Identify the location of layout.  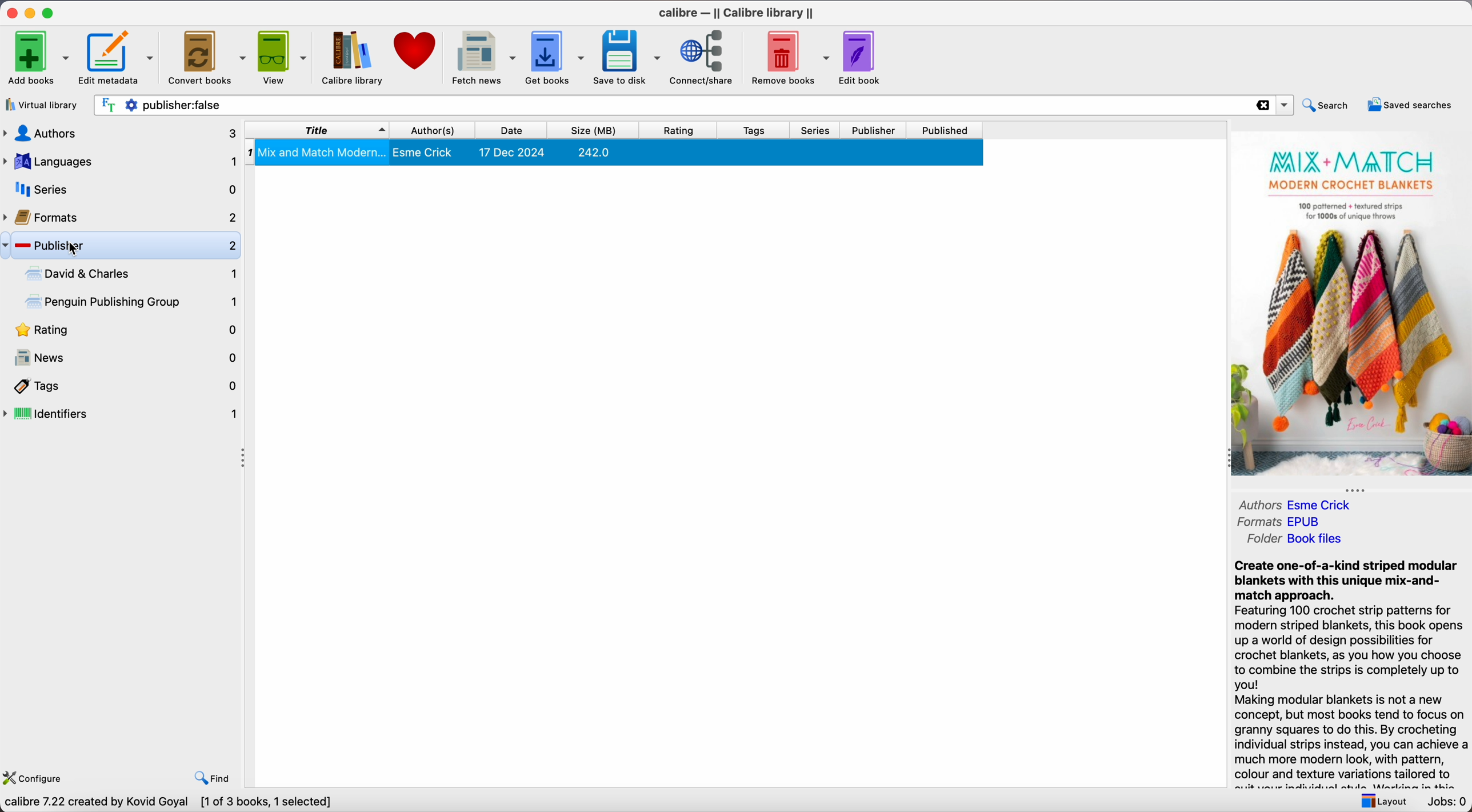
(1381, 800).